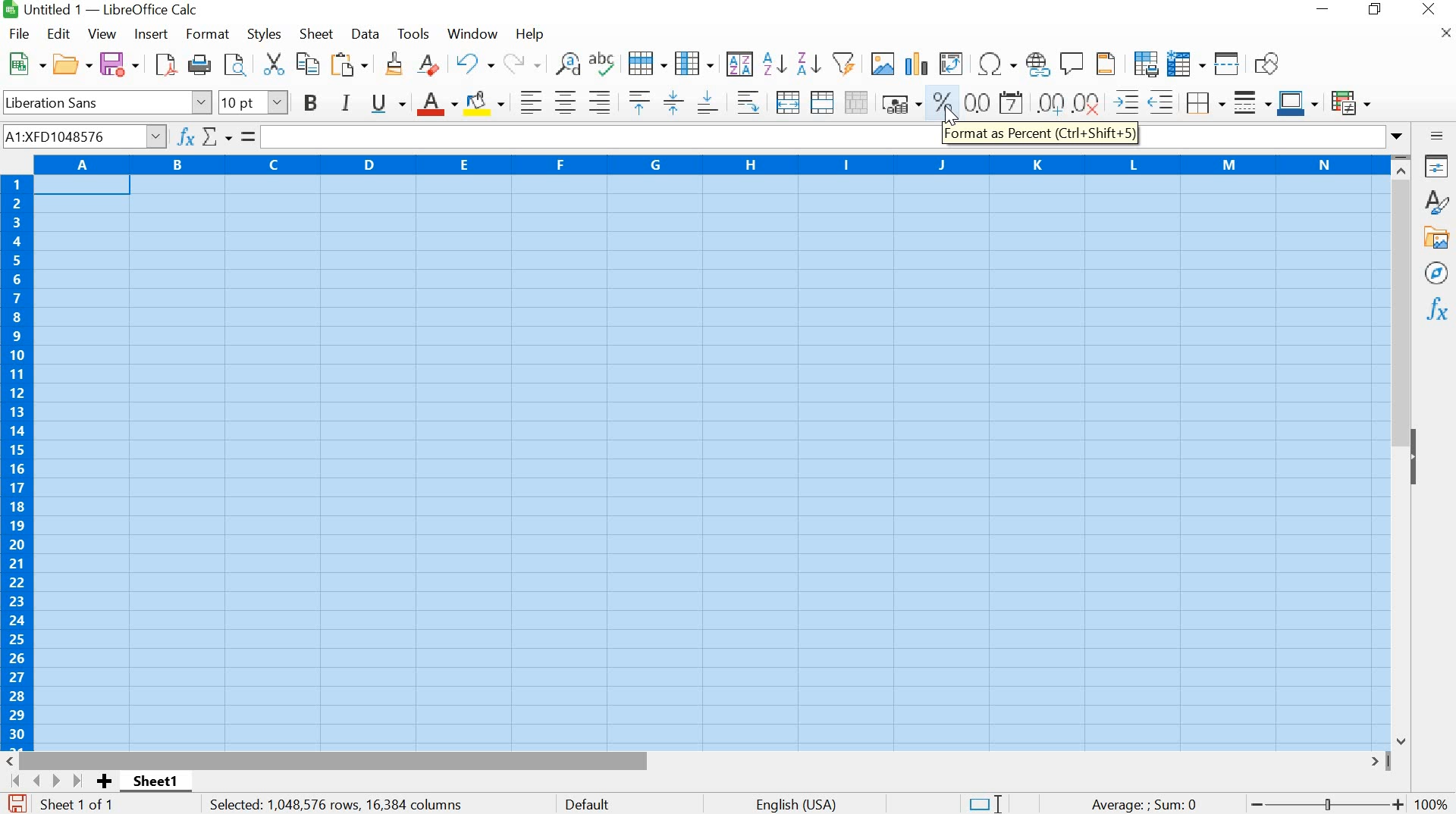  What do you see at coordinates (522, 65) in the screenshot?
I see `Redo` at bounding box center [522, 65].